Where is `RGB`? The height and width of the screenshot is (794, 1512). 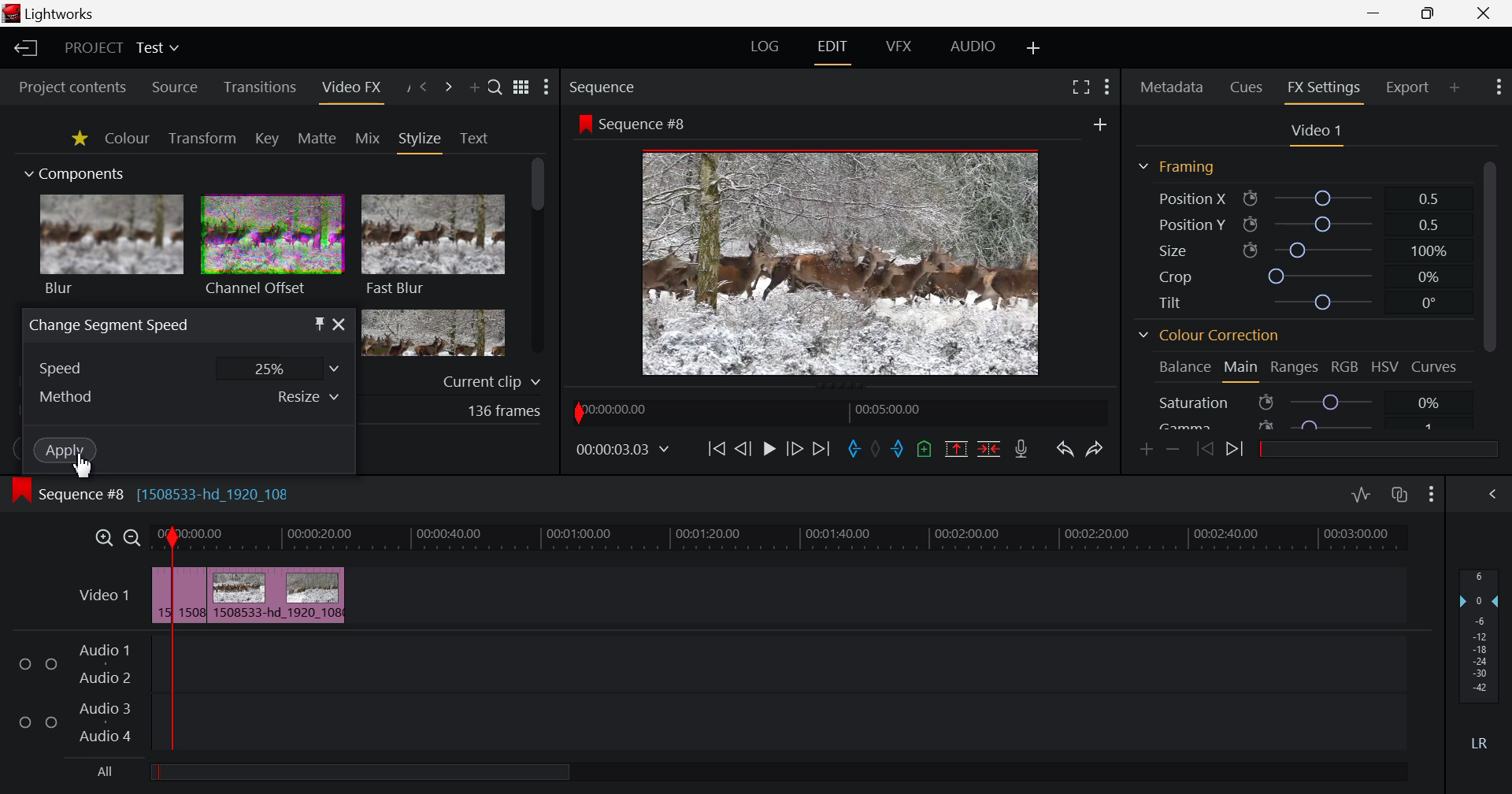
RGB is located at coordinates (1346, 366).